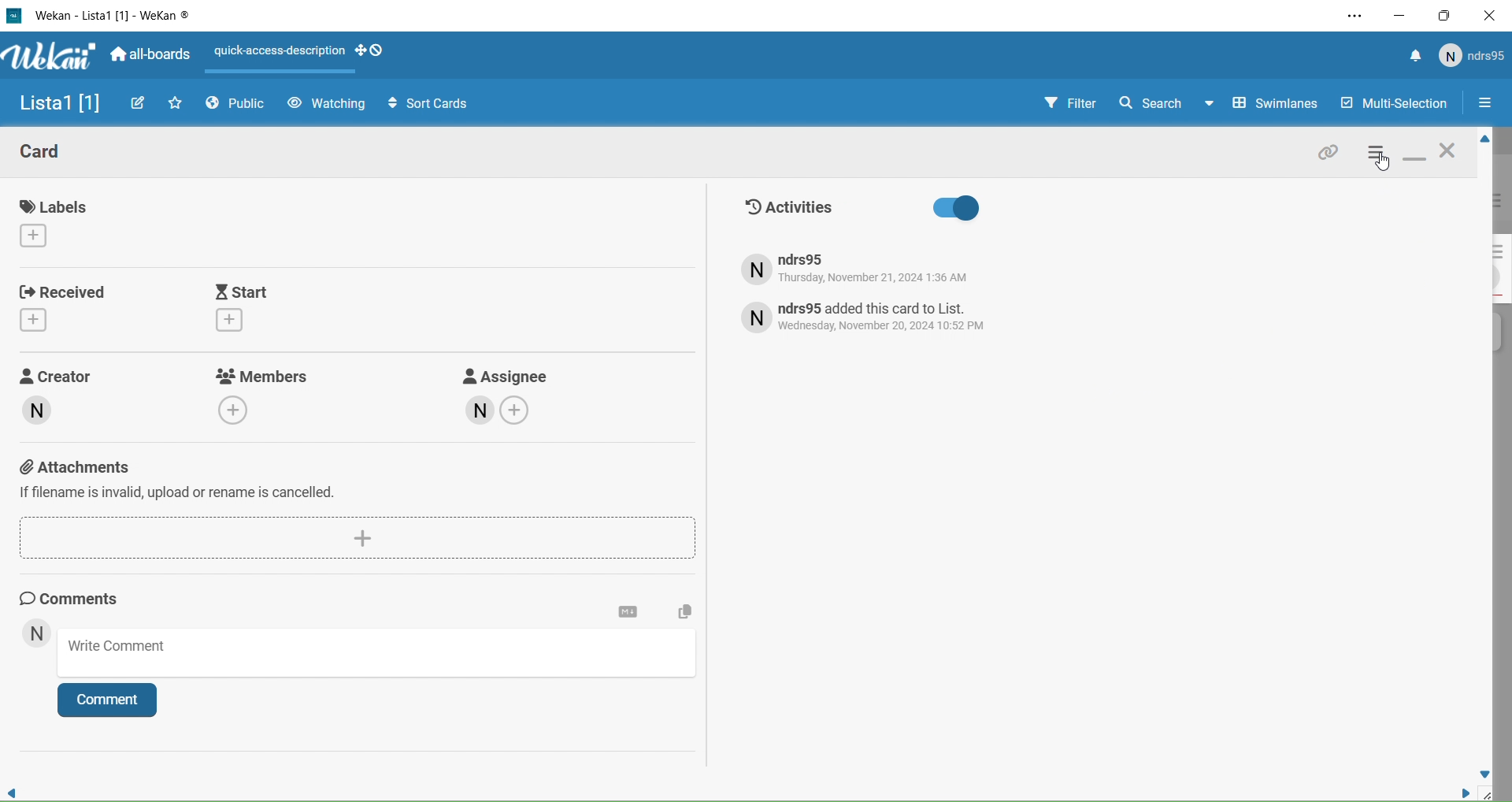 The width and height of the screenshot is (1512, 802). What do you see at coordinates (51, 60) in the screenshot?
I see `Wekan` at bounding box center [51, 60].